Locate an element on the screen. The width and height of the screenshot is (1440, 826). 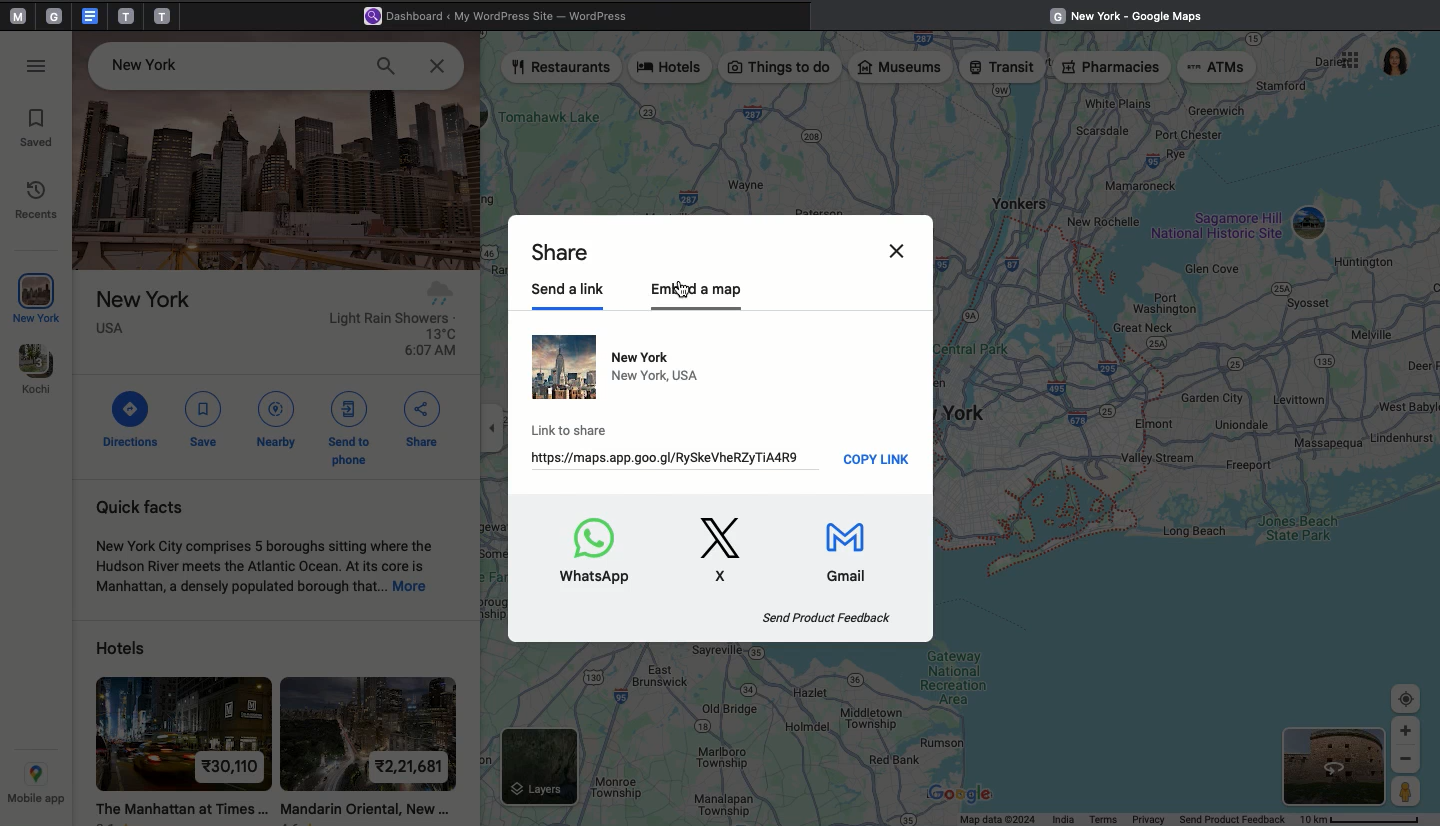
New York is located at coordinates (39, 299).